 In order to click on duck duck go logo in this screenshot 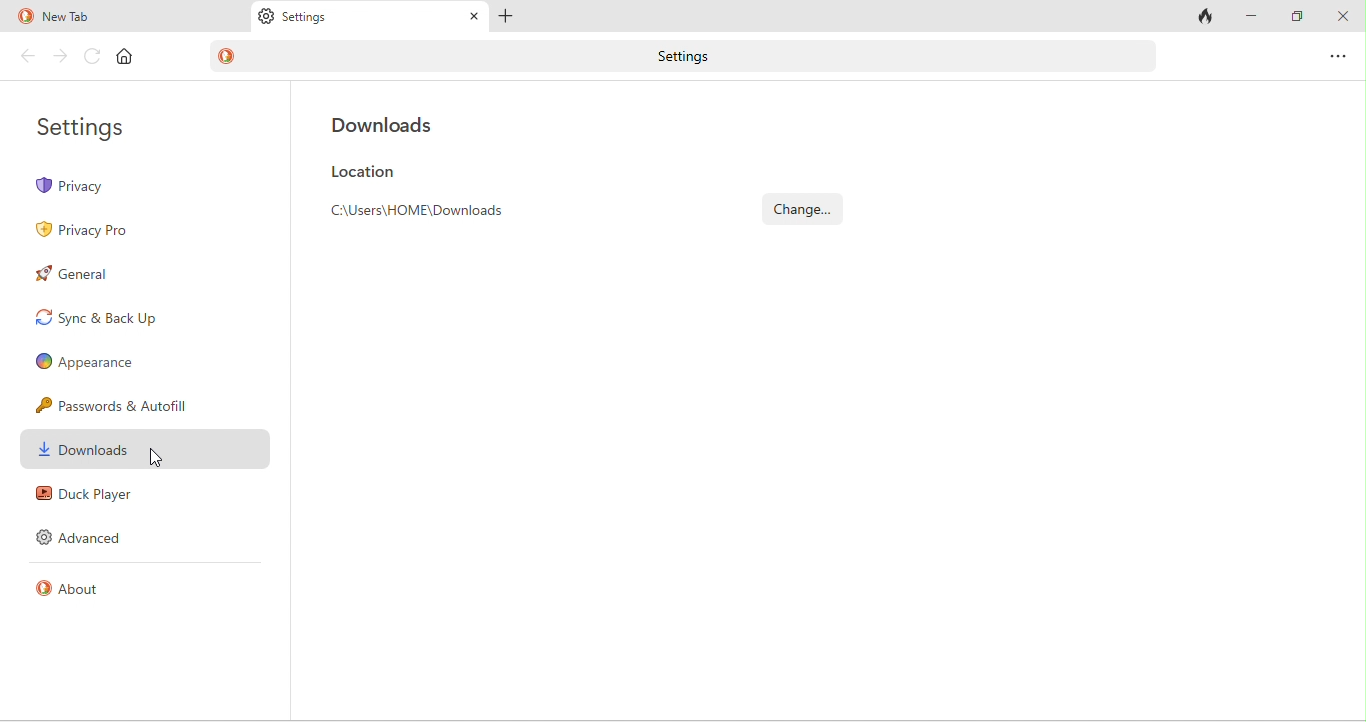, I will do `click(240, 60)`.